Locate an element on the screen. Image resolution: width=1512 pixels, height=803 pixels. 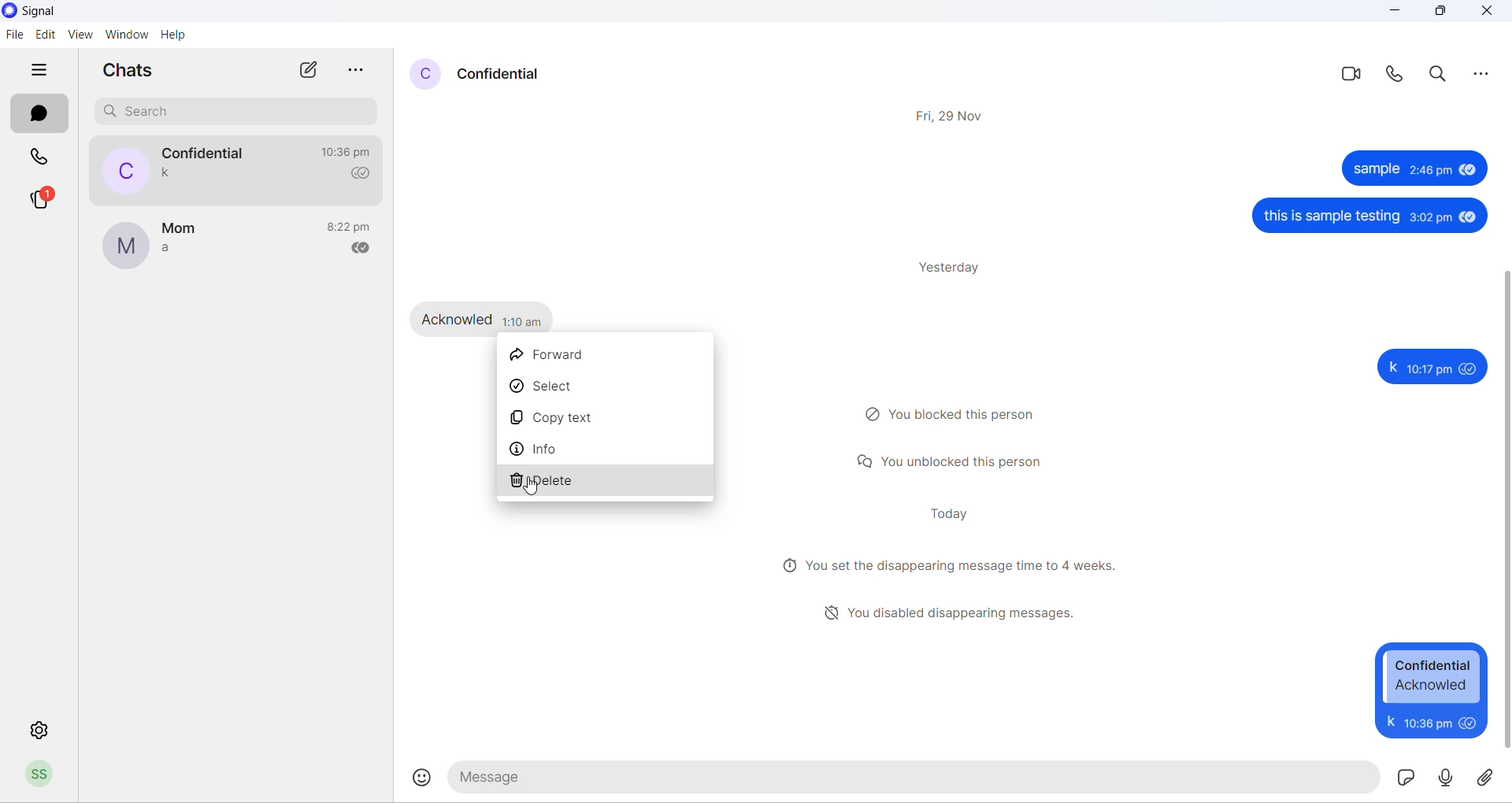
k is located at coordinates (1392, 367).